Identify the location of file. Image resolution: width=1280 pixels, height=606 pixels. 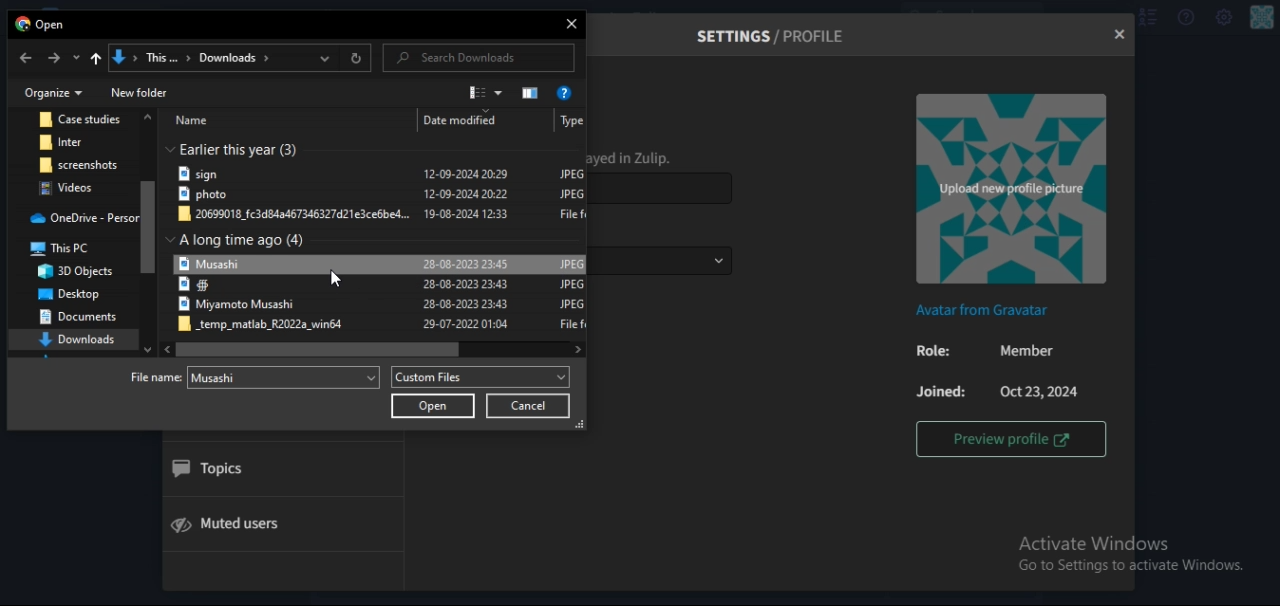
(382, 196).